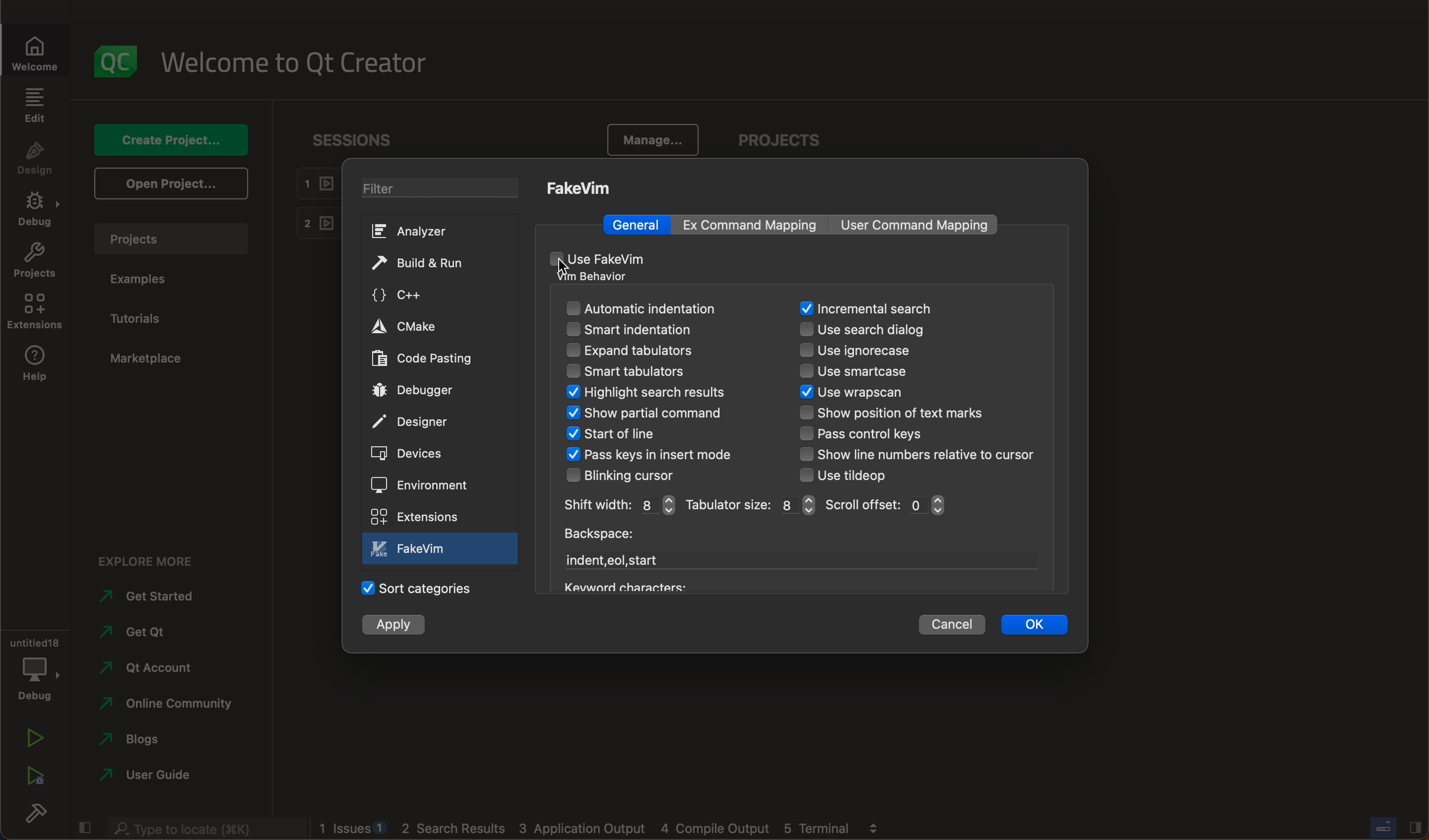 The image size is (1429, 840). Describe the element at coordinates (660, 309) in the screenshot. I see `automatic indentation` at that location.